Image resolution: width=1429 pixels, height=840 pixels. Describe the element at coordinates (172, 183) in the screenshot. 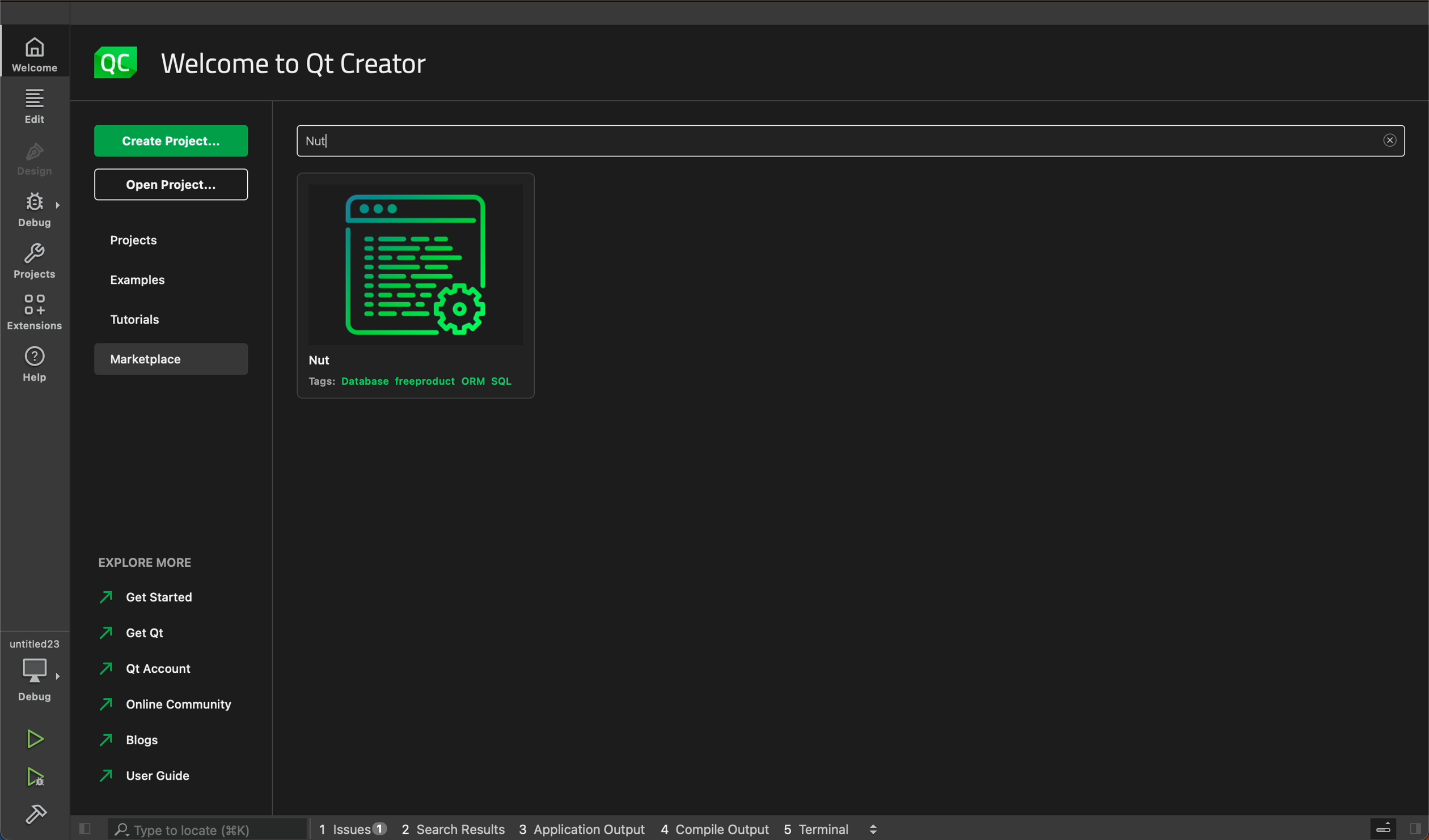

I see `open projects` at that location.